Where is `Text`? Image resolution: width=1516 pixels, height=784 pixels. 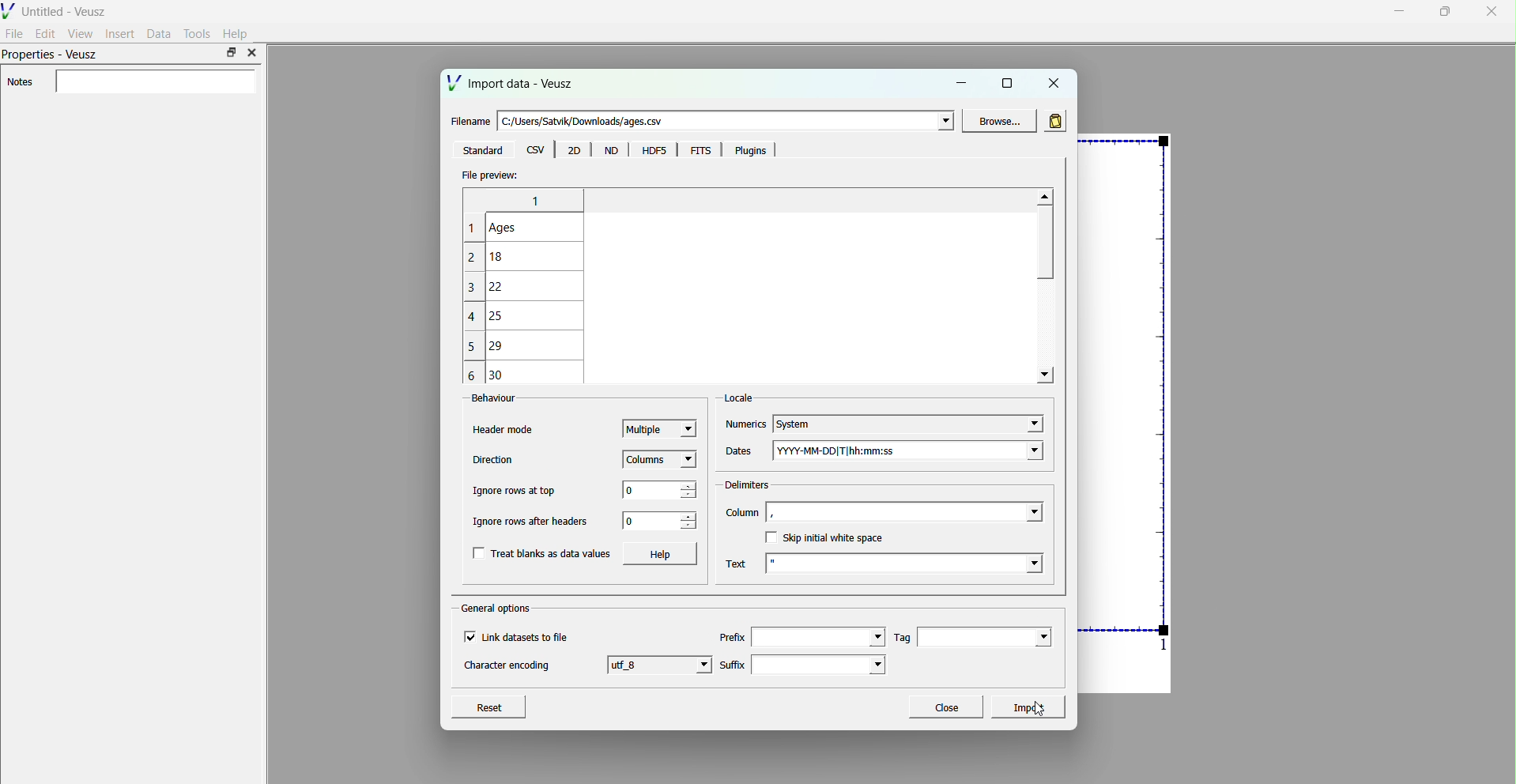
Text is located at coordinates (736, 564).